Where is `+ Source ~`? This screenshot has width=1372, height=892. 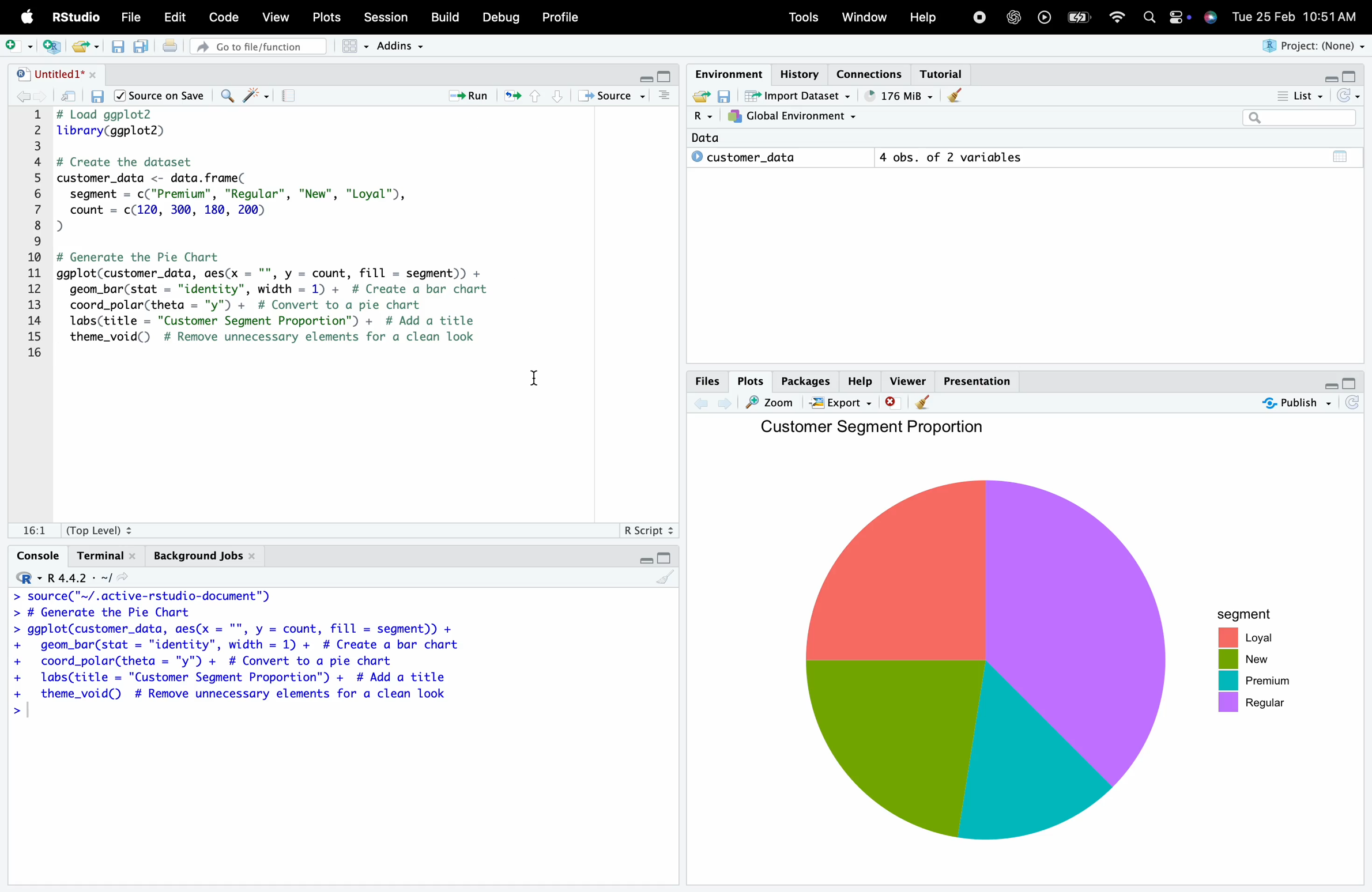 + Source ~ is located at coordinates (613, 96).